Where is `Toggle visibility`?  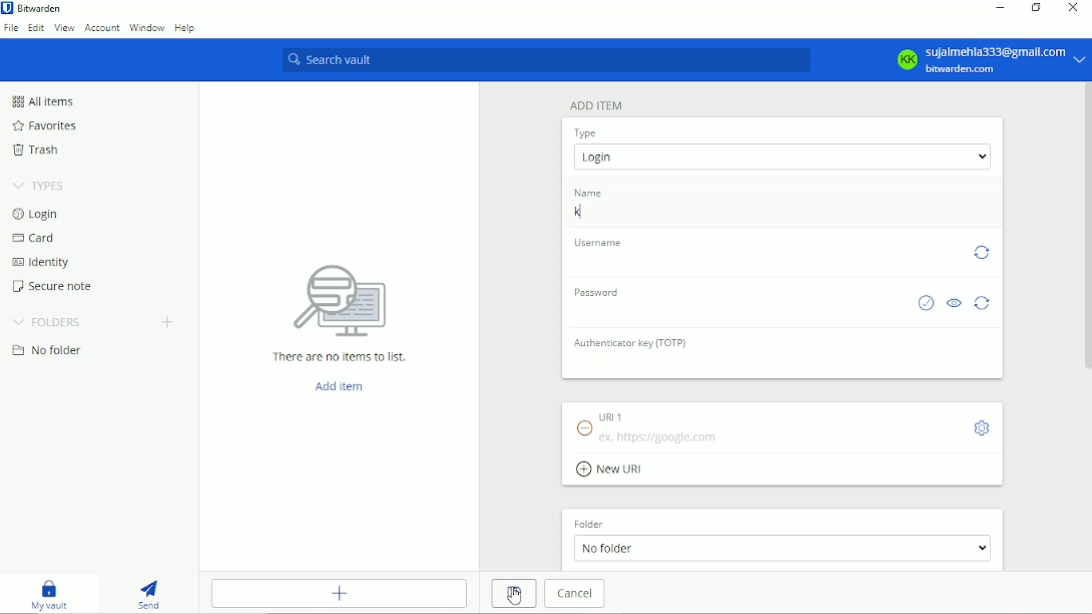
Toggle visibility is located at coordinates (954, 304).